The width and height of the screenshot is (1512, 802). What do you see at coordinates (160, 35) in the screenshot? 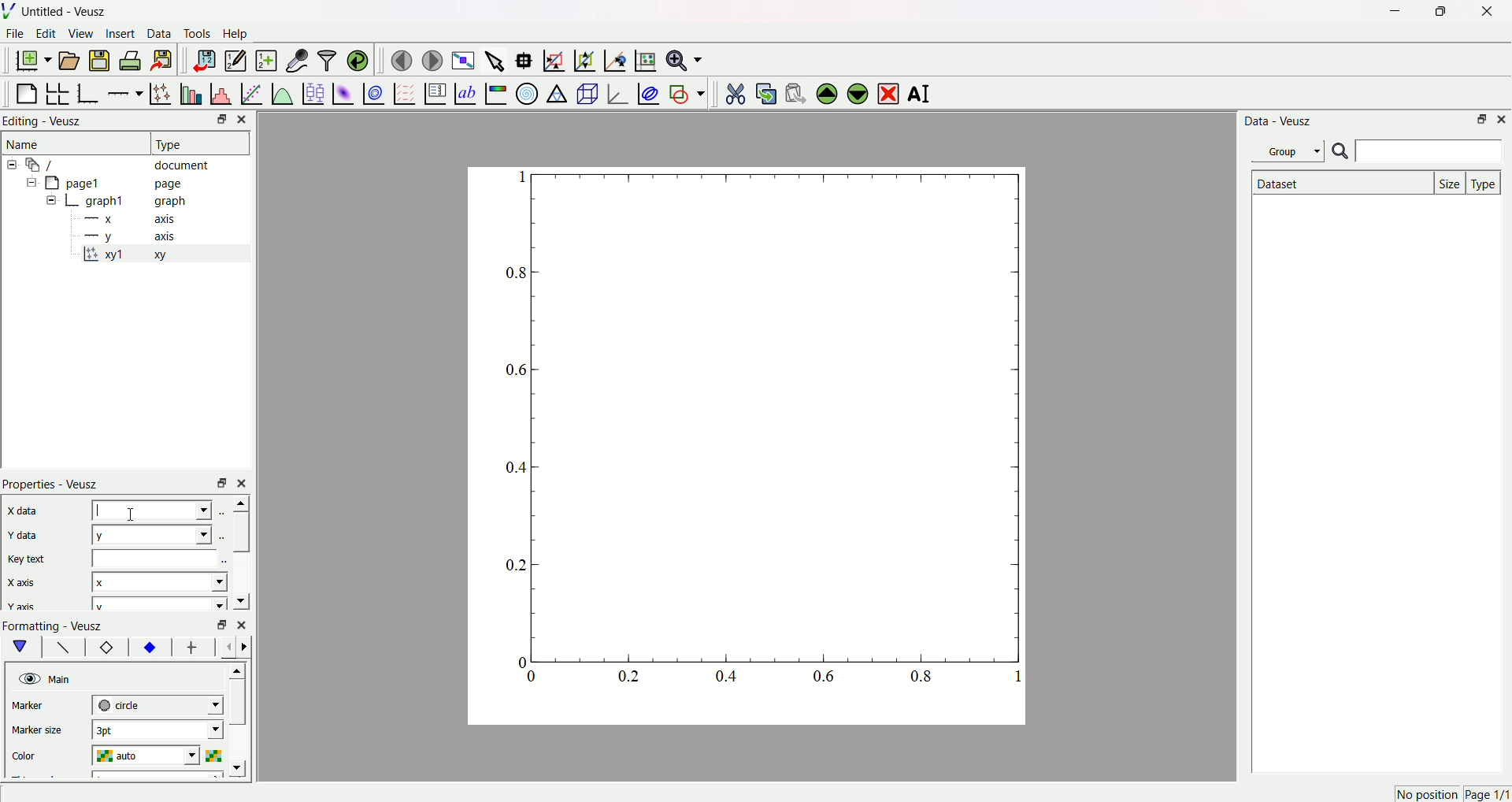
I see `Data` at bounding box center [160, 35].